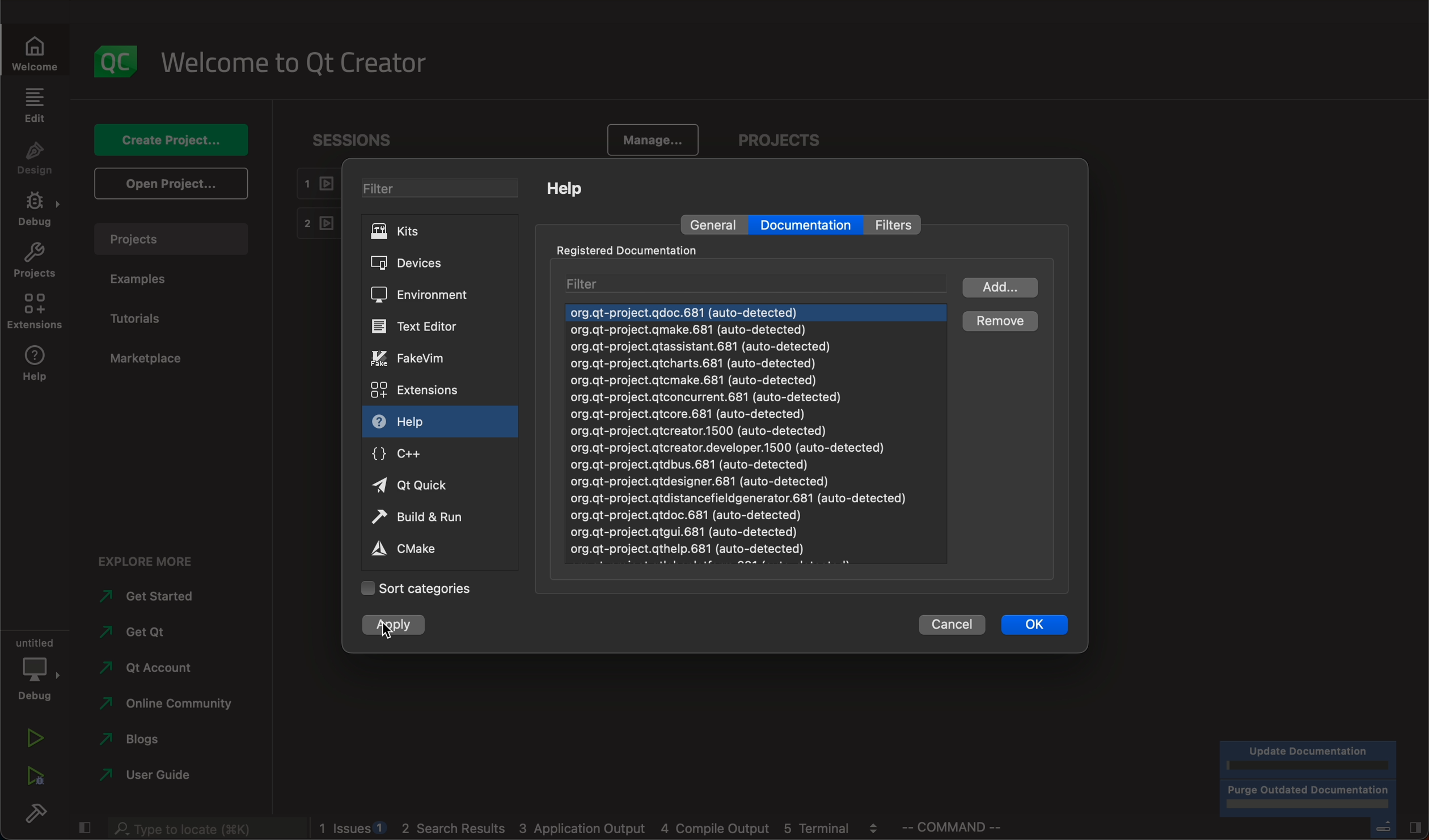  I want to click on search bar, so click(206, 829).